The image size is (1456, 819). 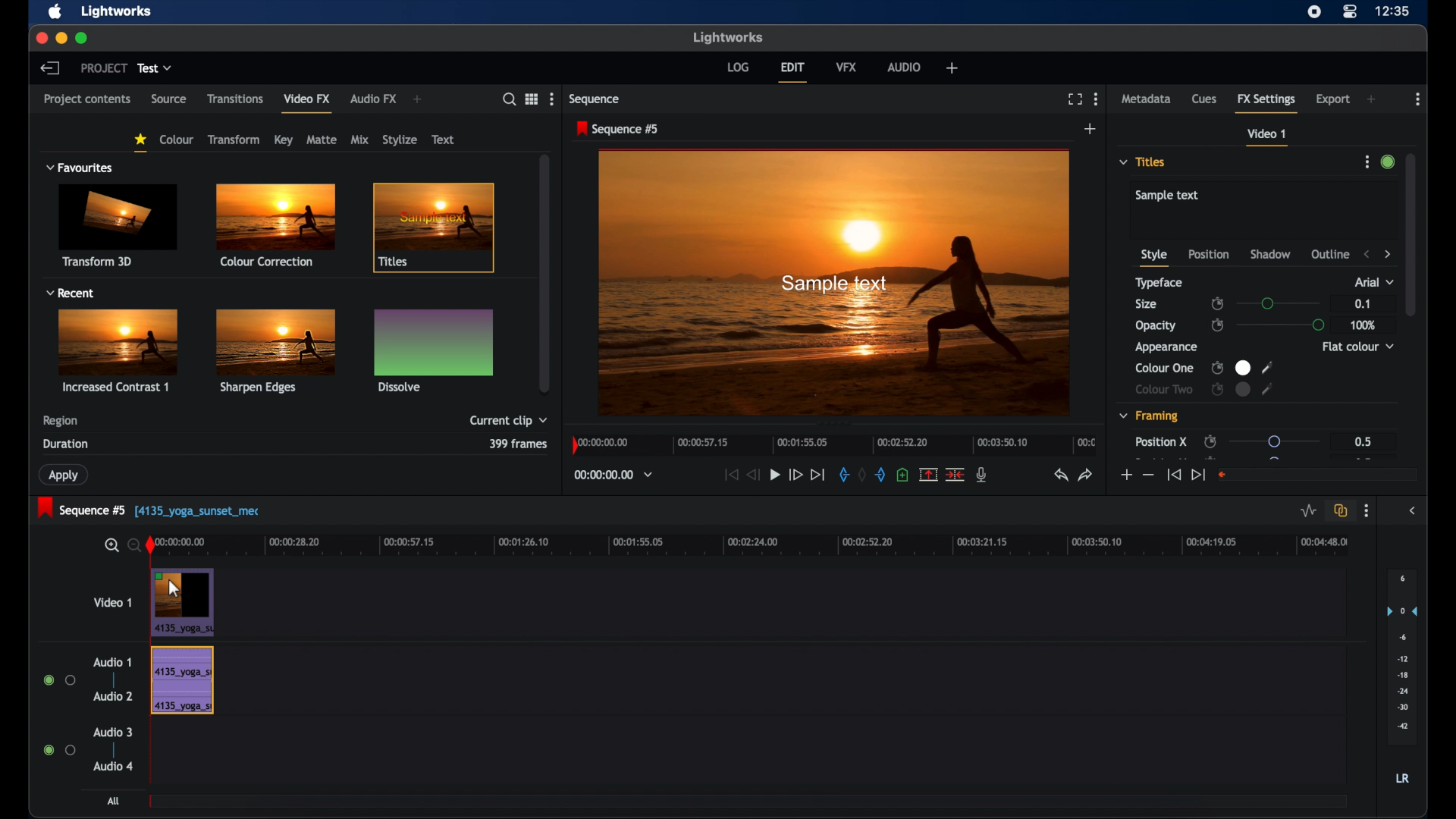 I want to click on more options, so click(x=551, y=98).